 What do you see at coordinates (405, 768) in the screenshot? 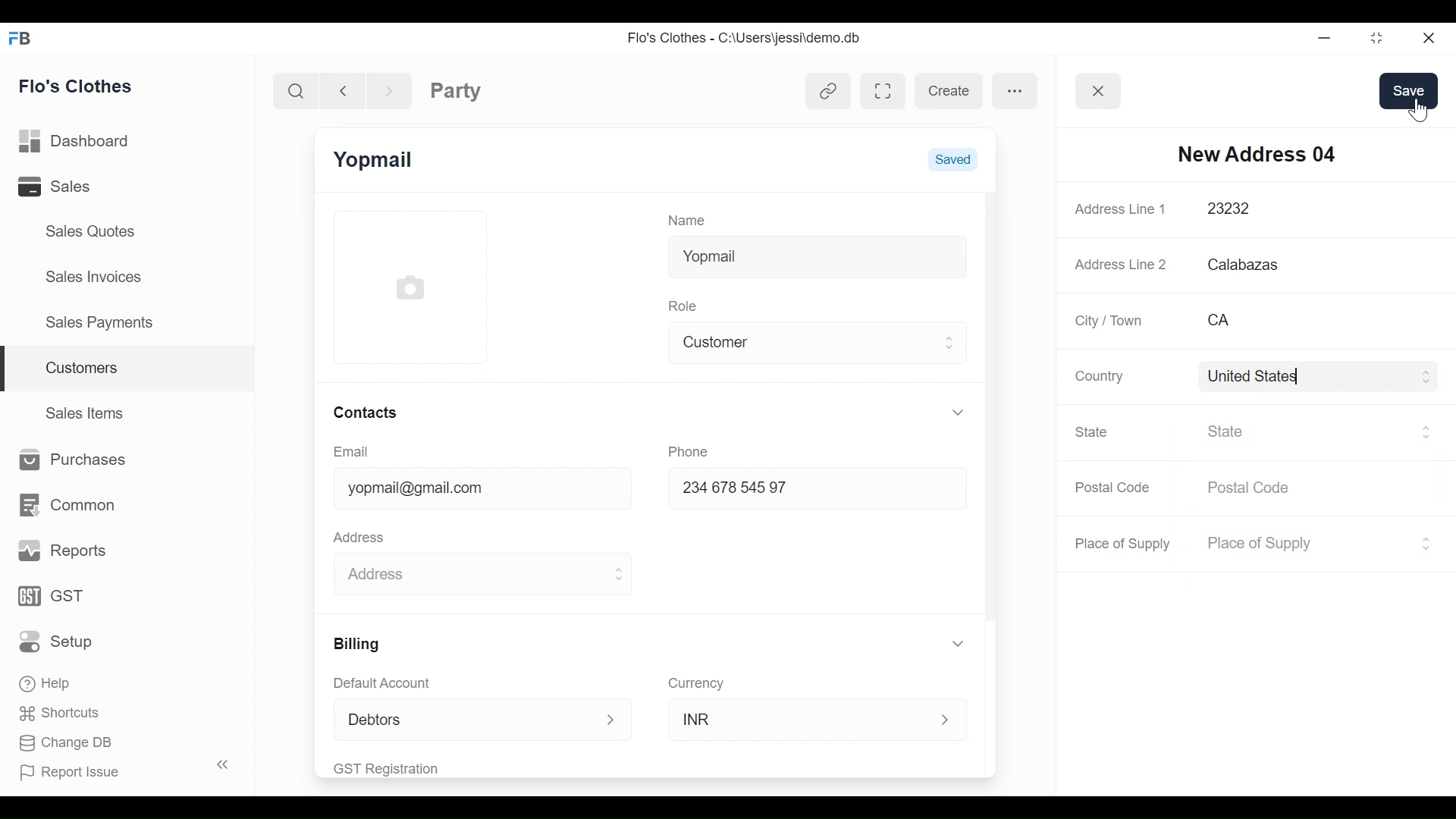
I see `GST Registration` at bounding box center [405, 768].